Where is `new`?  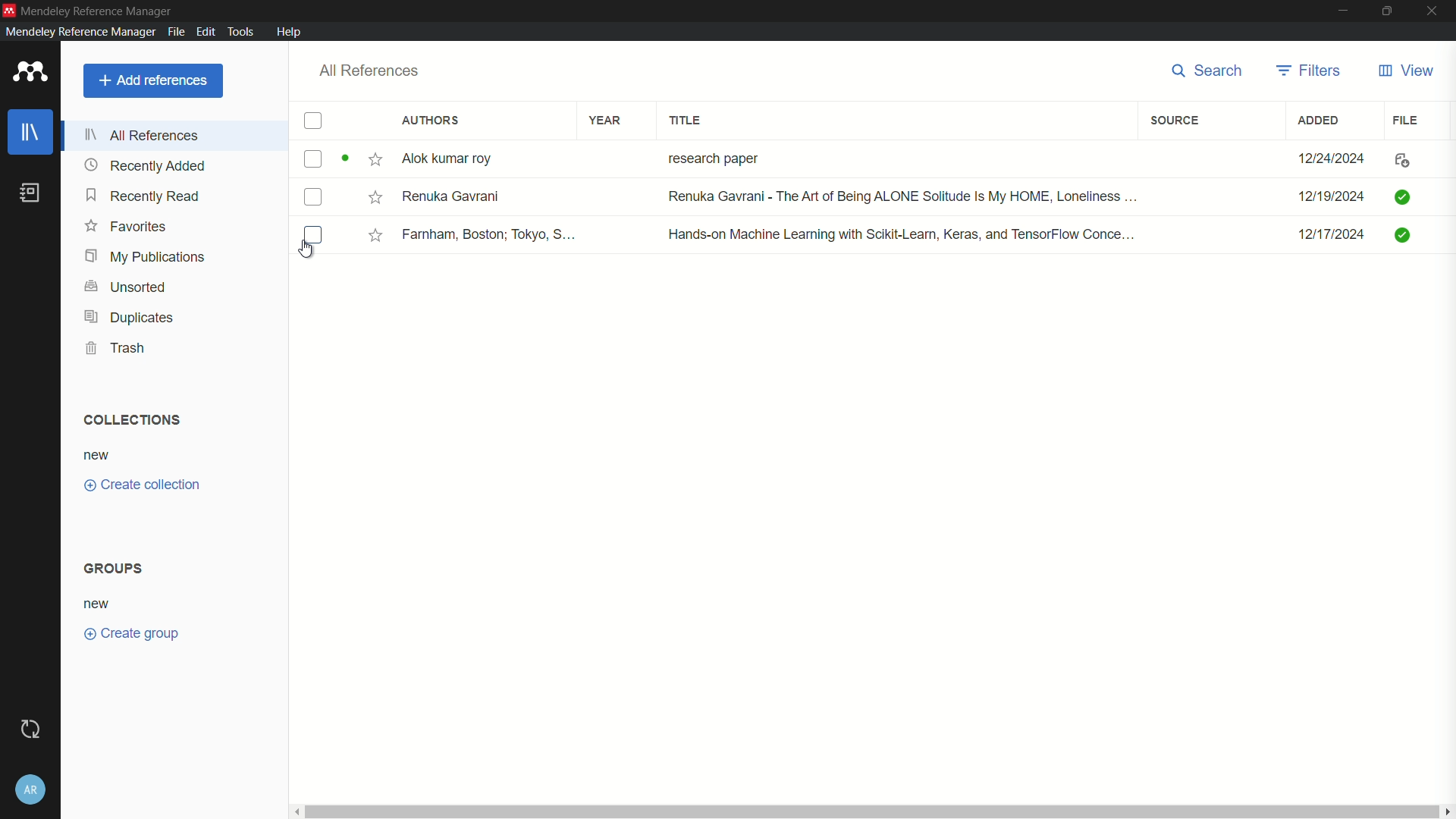 new is located at coordinates (99, 603).